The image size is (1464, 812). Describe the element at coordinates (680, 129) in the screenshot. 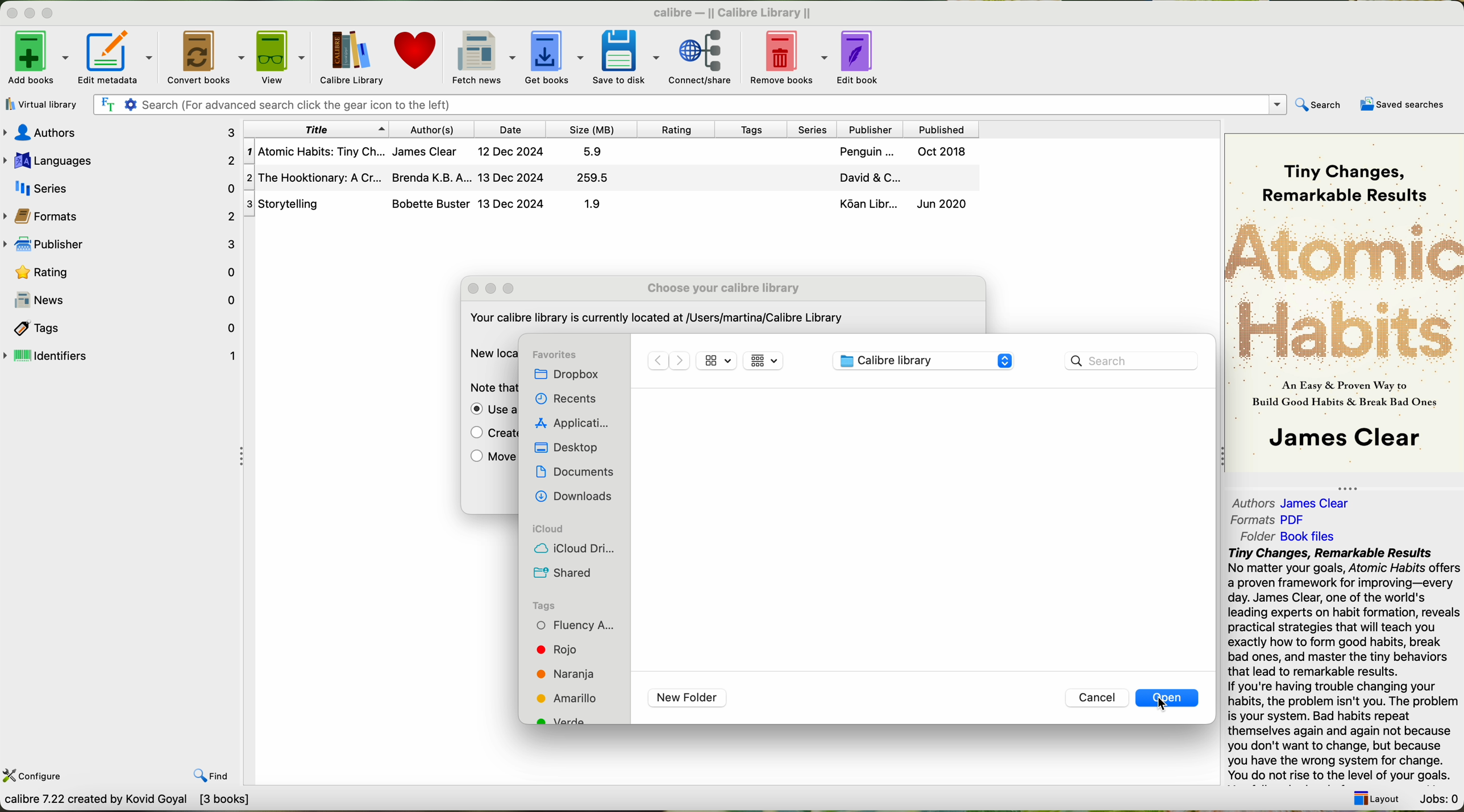

I see `rating` at that location.